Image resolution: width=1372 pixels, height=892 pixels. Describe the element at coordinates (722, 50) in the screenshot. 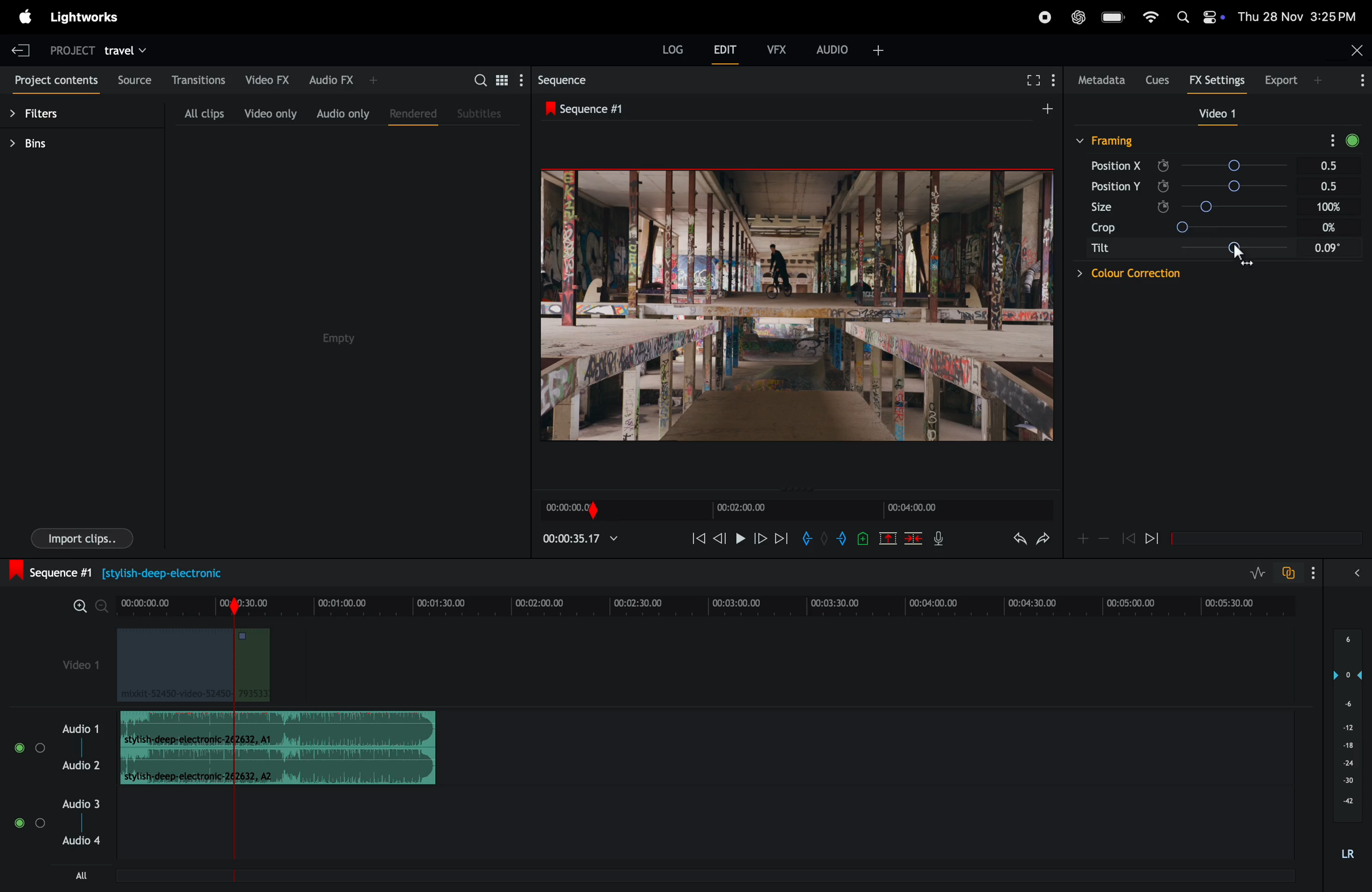

I see `edit` at that location.